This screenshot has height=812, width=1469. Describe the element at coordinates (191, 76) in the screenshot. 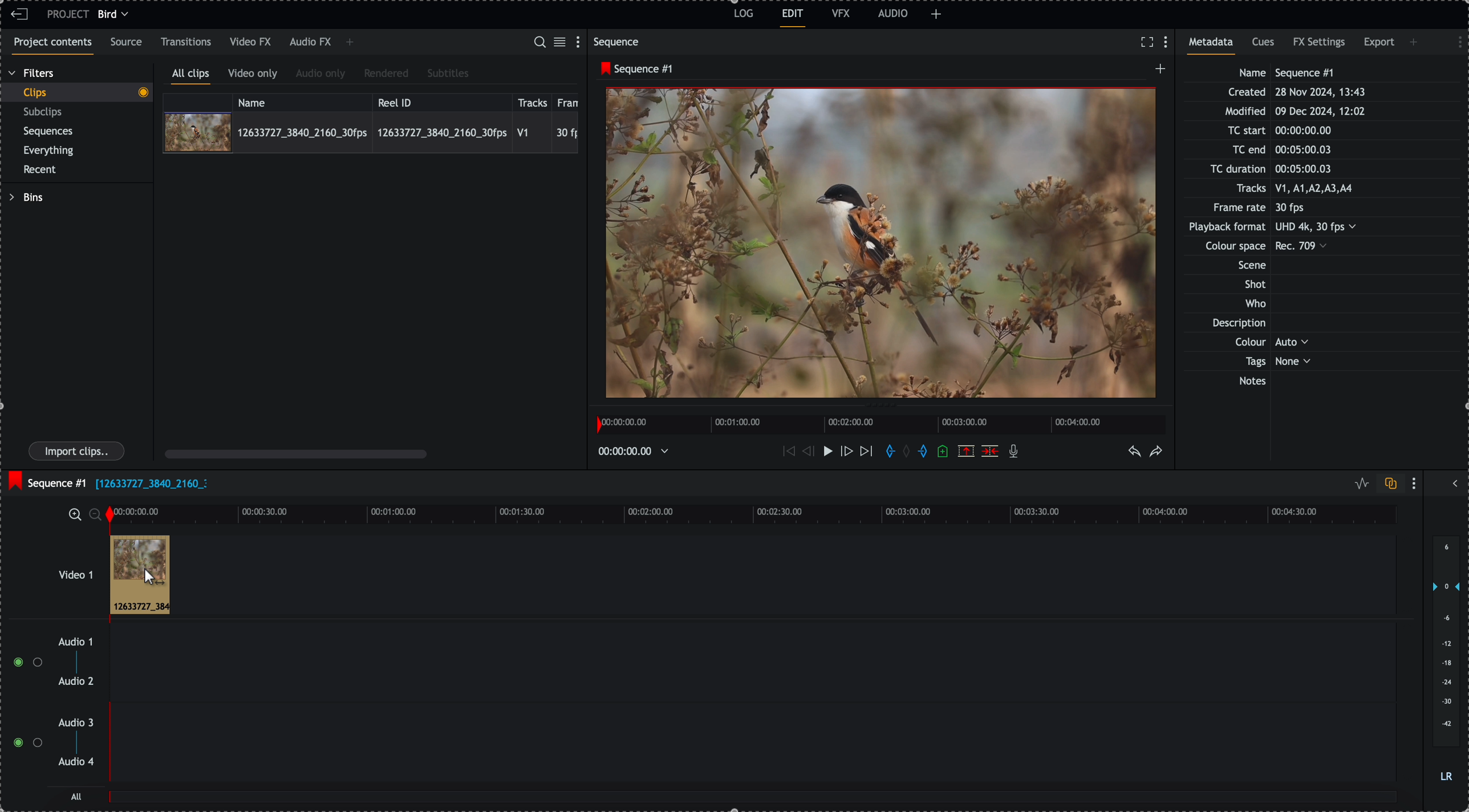

I see `all clips` at that location.